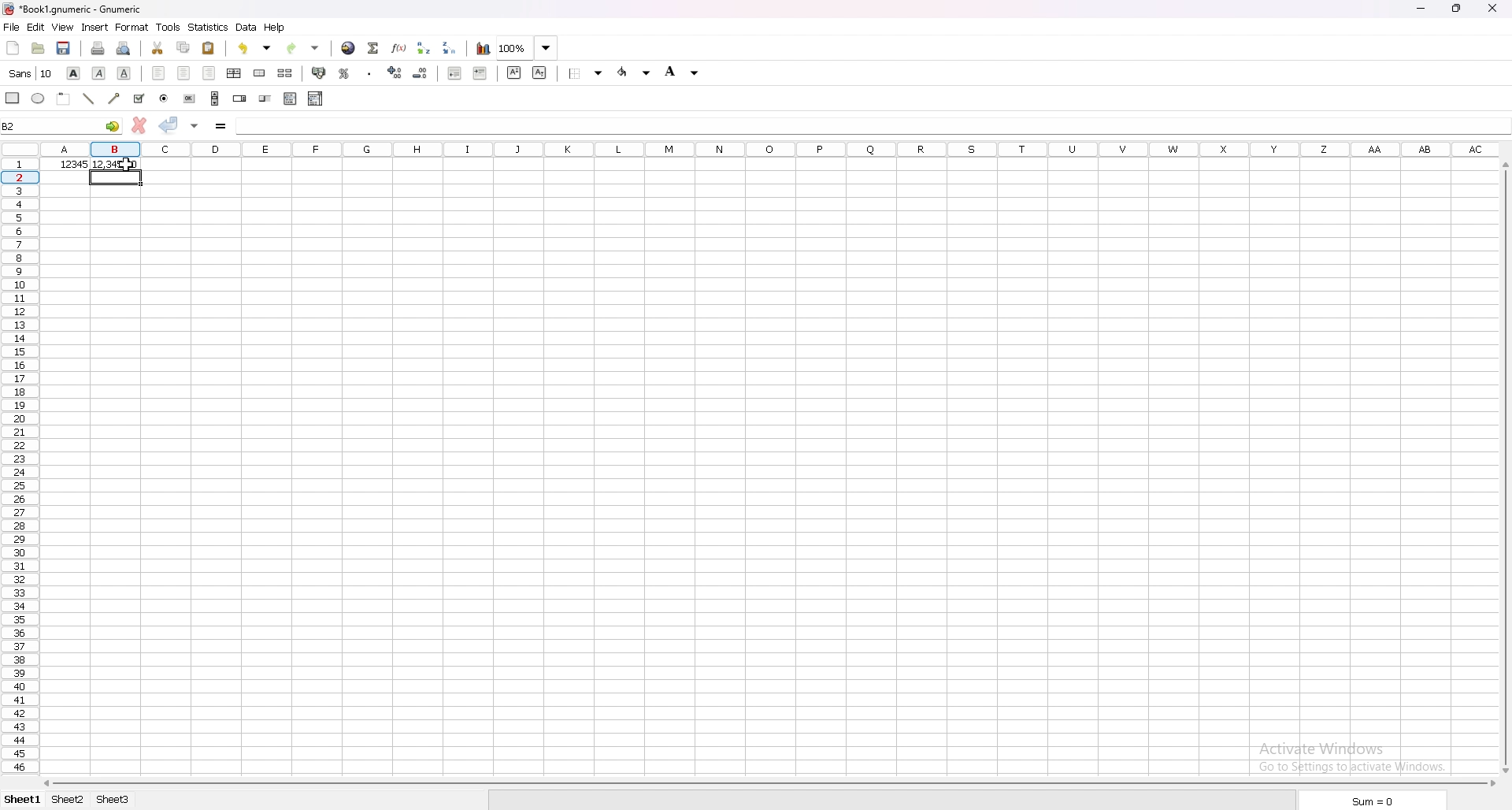 Image resolution: width=1512 pixels, height=810 pixels. What do you see at coordinates (235, 73) in the screenshot?
I see `centre horizontally` at bounding box center [235, 73].